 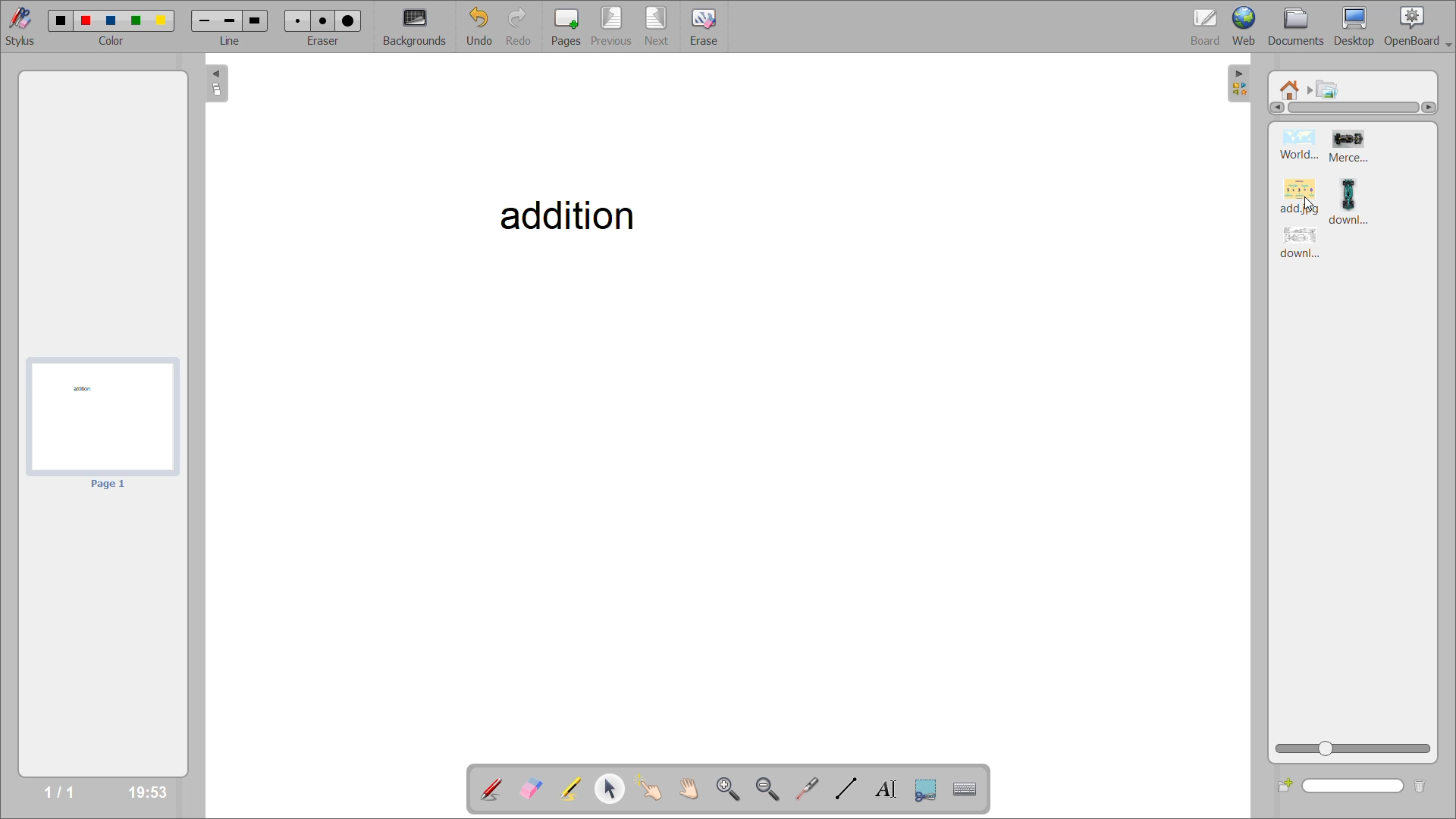 What do you see at coordinates (1354, 147) in the screenshot?
I see `image 2` at bounding box center [1354, 147].